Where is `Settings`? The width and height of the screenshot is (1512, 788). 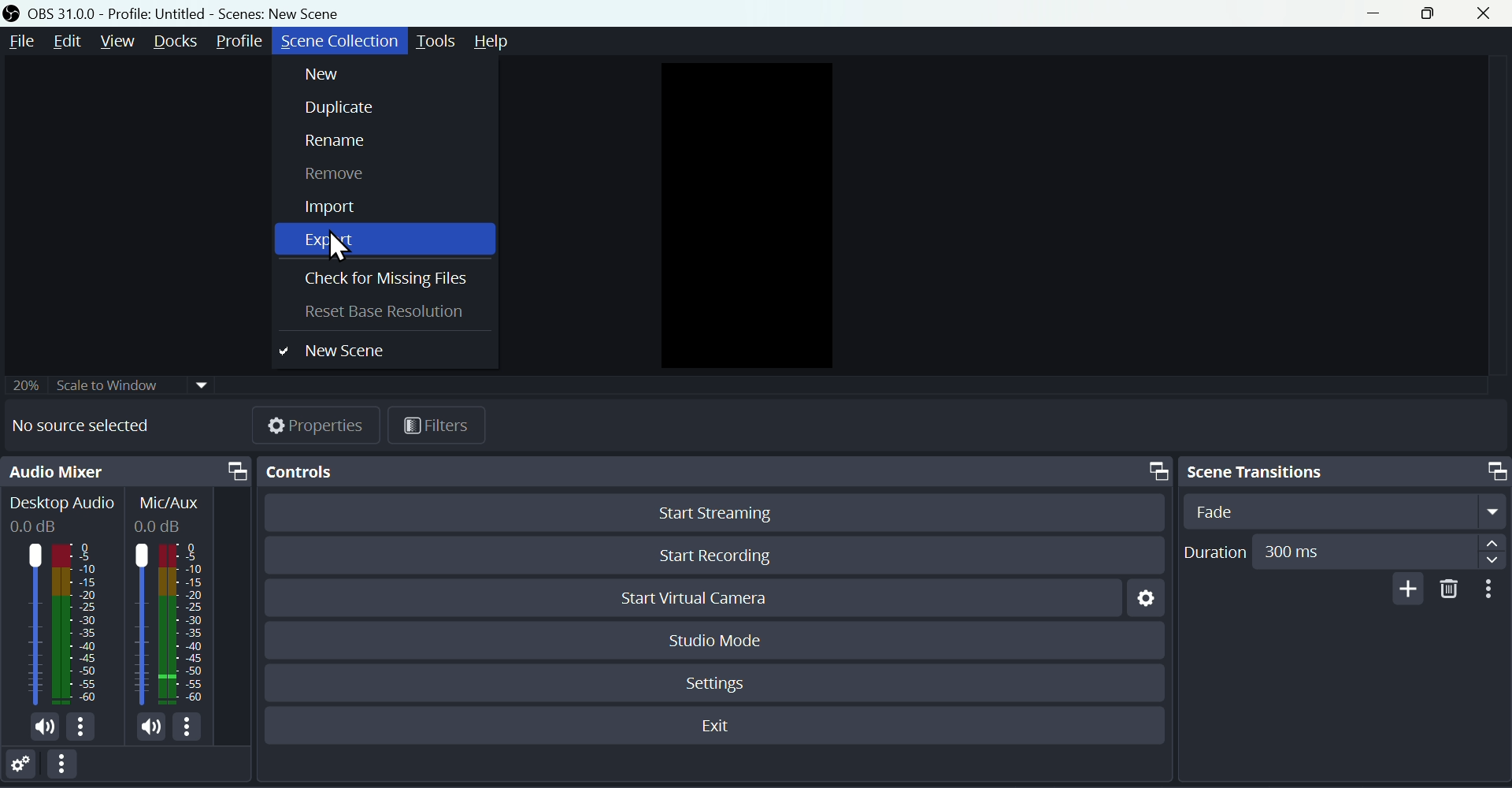
Settings is located at coordinates (1141, 603).